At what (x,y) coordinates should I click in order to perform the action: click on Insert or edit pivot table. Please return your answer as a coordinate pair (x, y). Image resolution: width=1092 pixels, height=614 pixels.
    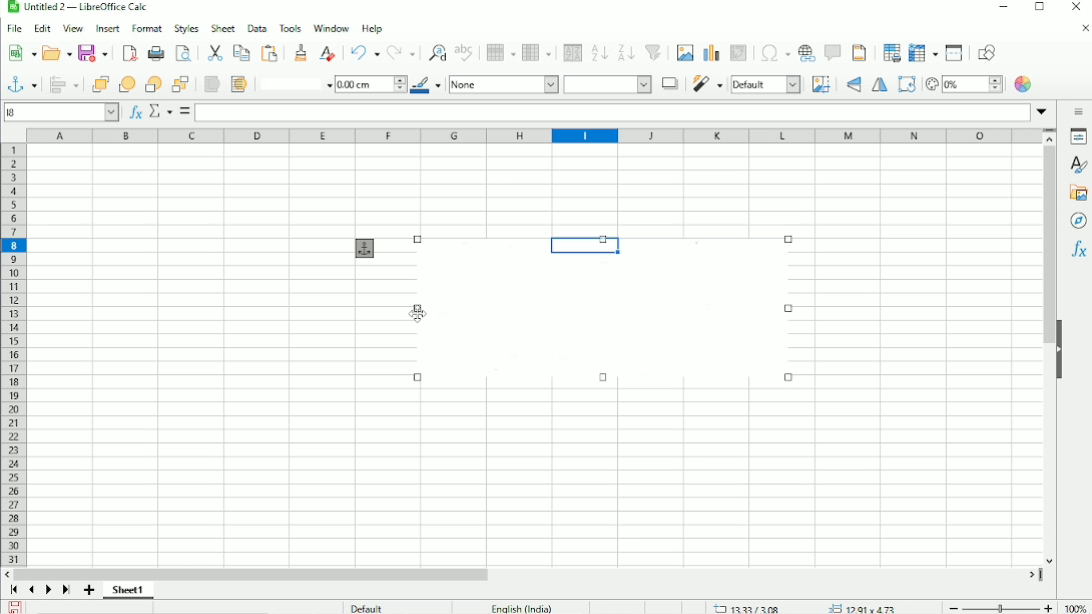
    Looking at the image, I should click on (740, 54).